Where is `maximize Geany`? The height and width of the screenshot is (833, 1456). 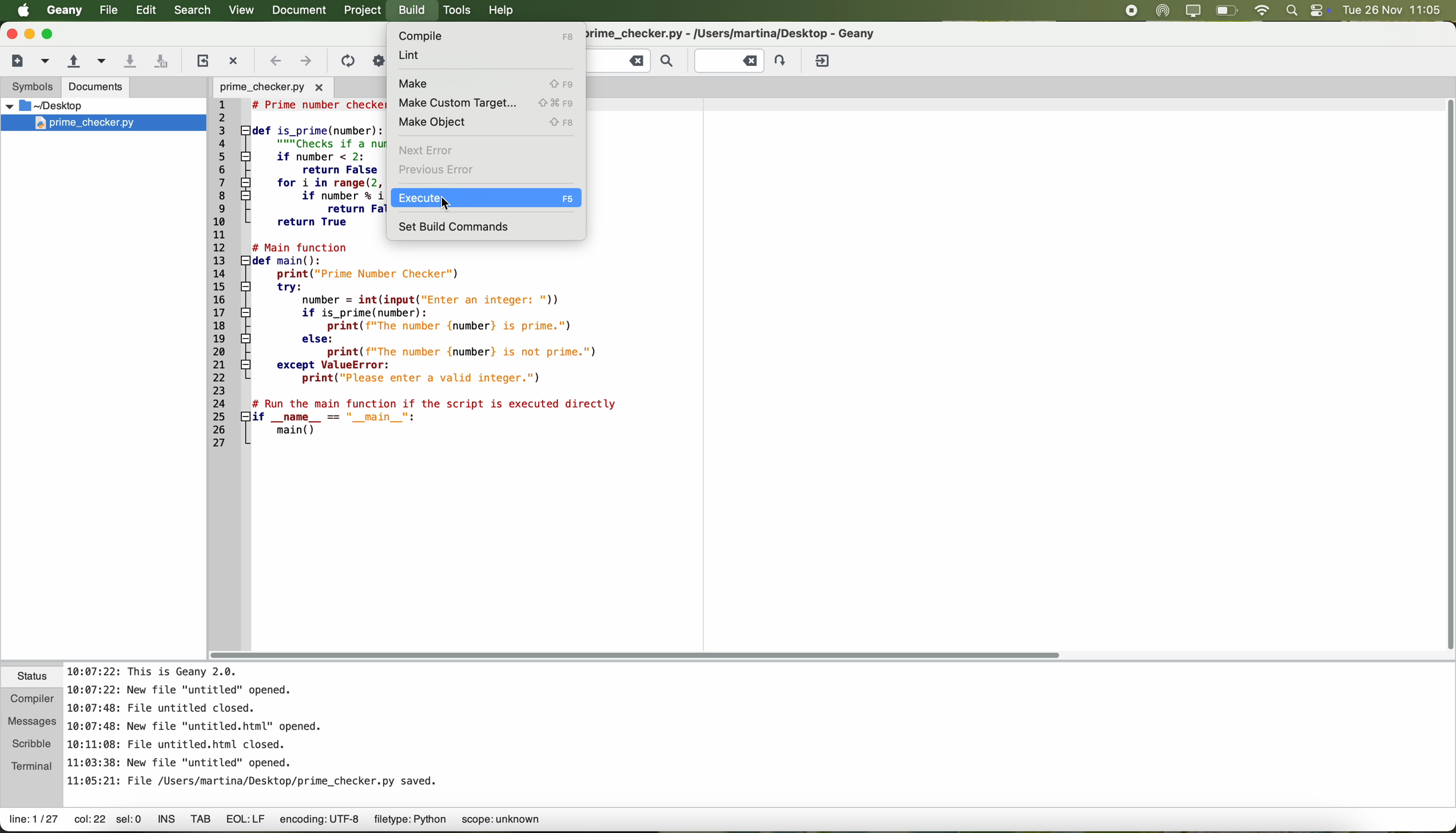
maximize Geany is located at coordinates (51, 34).